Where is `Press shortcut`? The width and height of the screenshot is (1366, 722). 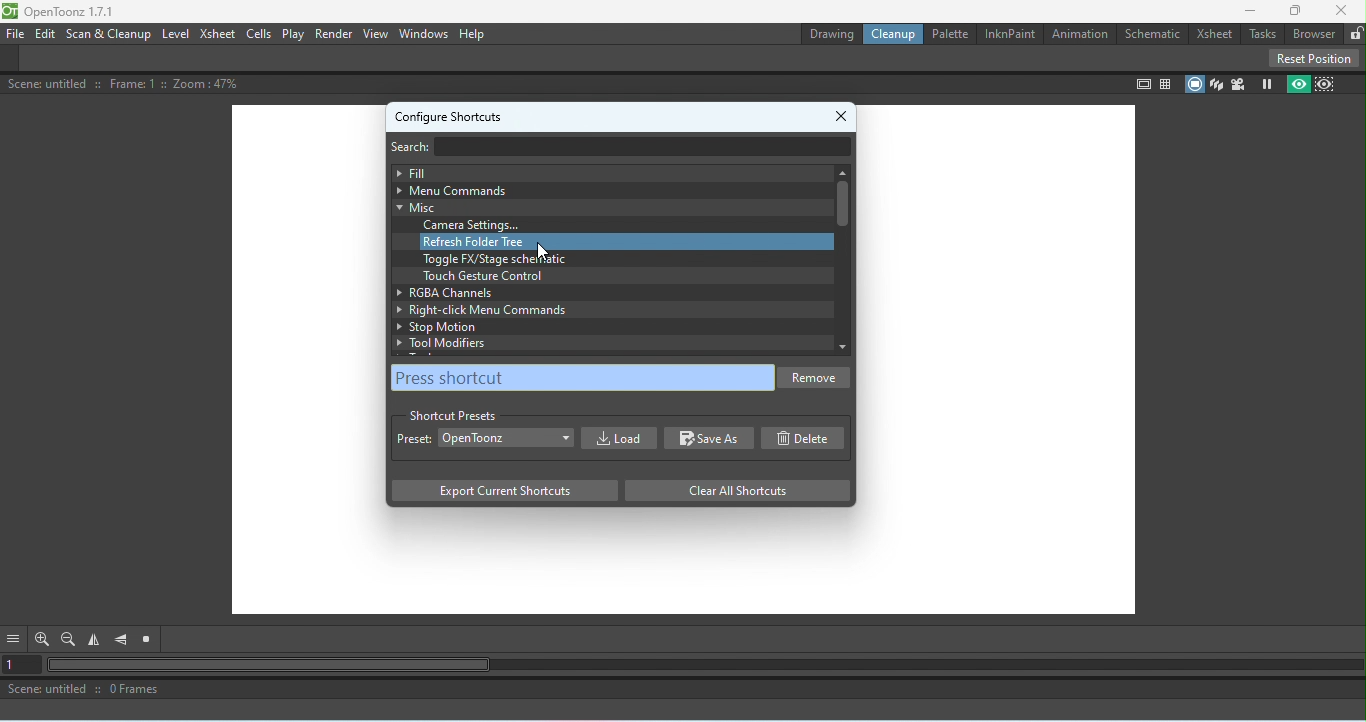
Press shortcut is located at coordinates (583, 378).